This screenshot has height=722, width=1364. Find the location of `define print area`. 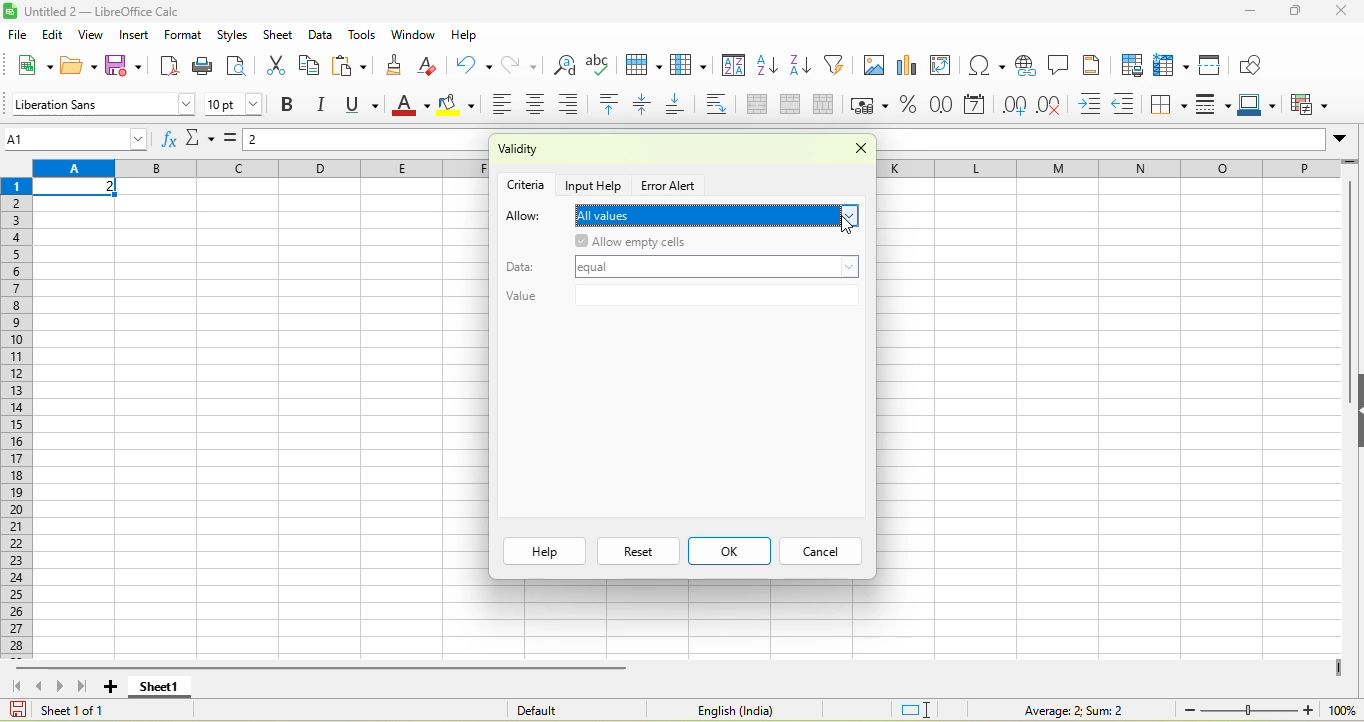

define print area is located at coordinates (1131, 65).